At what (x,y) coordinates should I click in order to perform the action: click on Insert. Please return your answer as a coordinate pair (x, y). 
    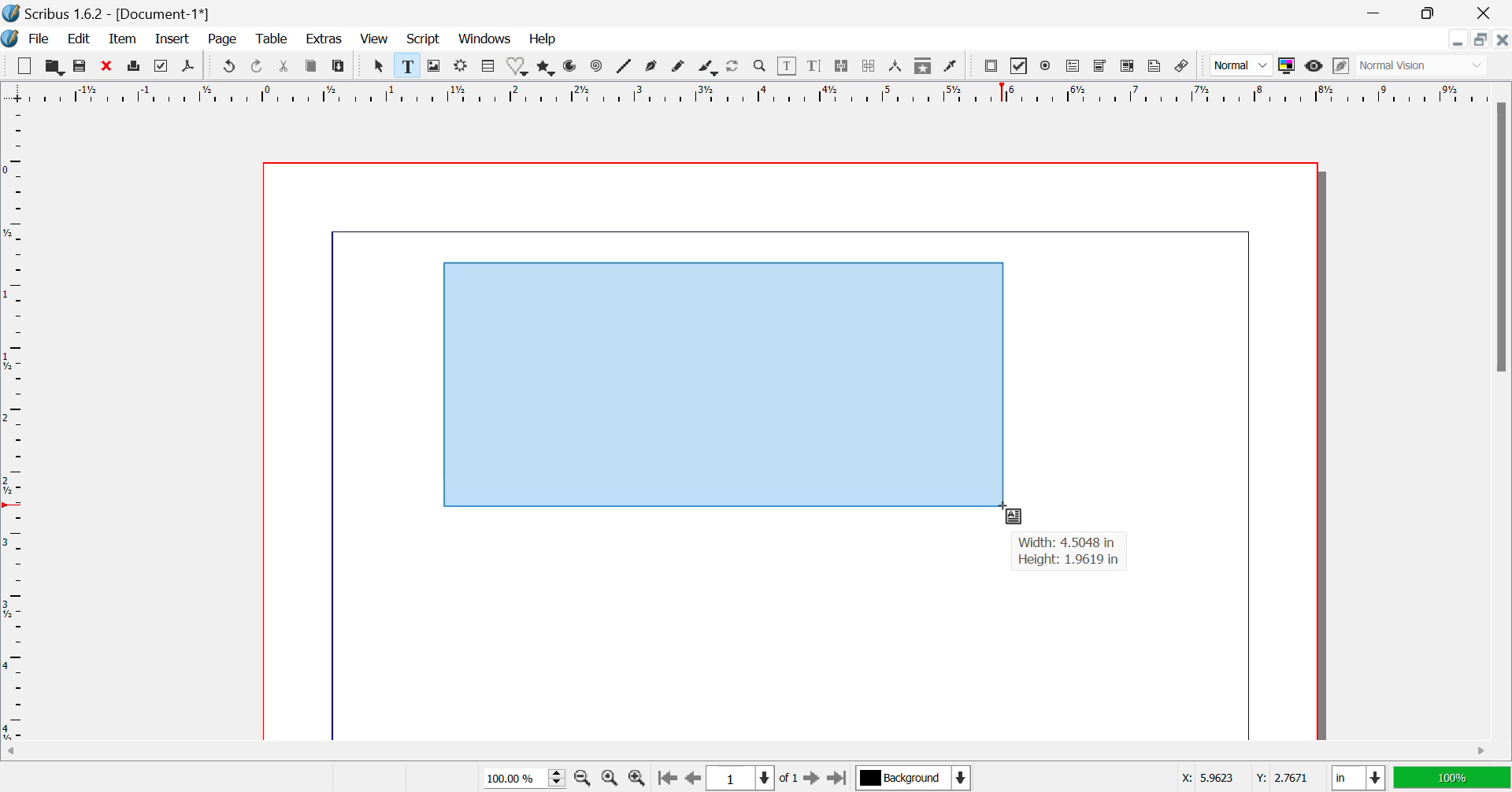
    Looking at the image, I should click on (174, 39).